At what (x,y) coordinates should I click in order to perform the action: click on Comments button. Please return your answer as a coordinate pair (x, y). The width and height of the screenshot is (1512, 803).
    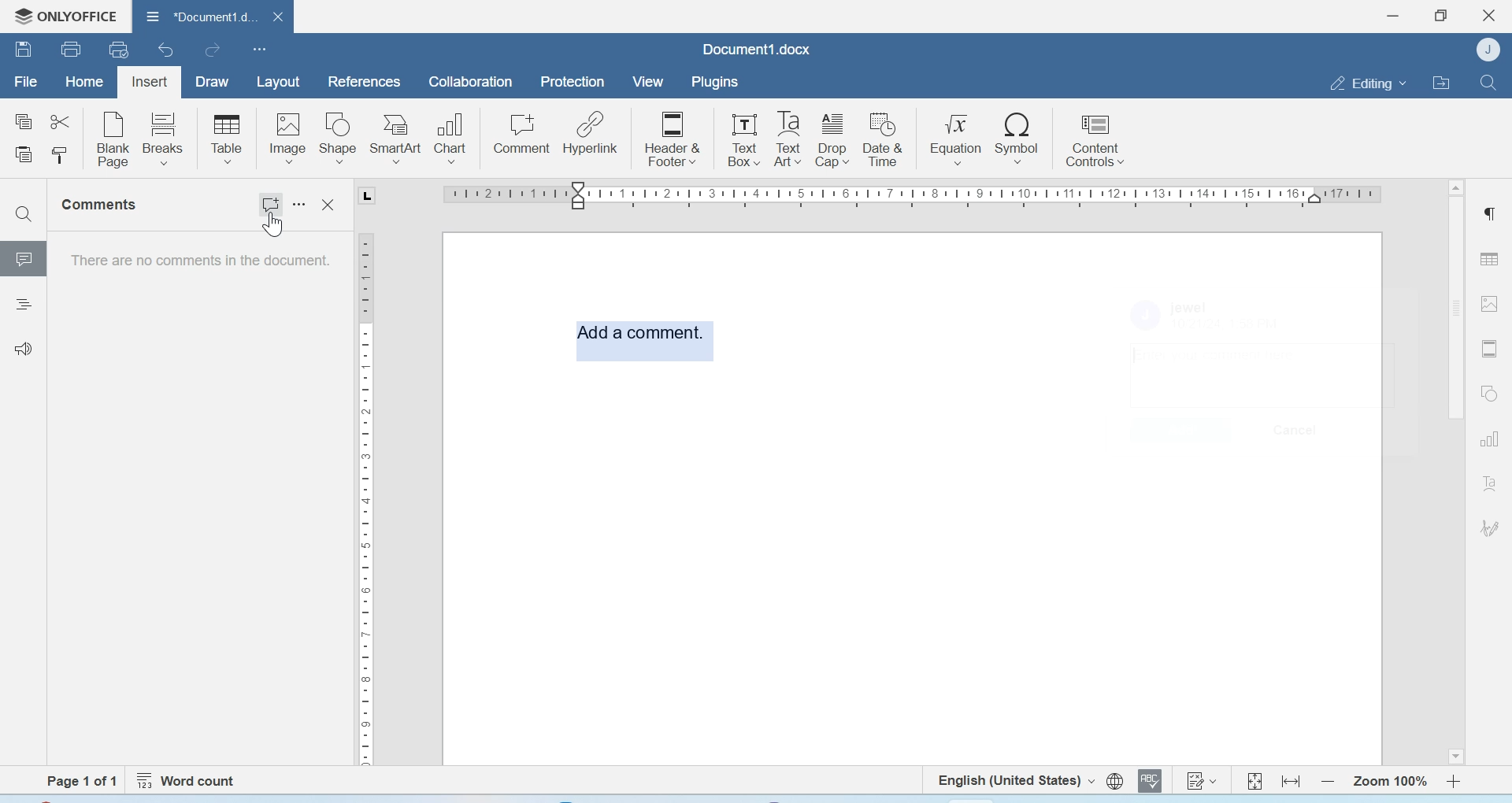
    Looking at the image, I should click on (272, 199).